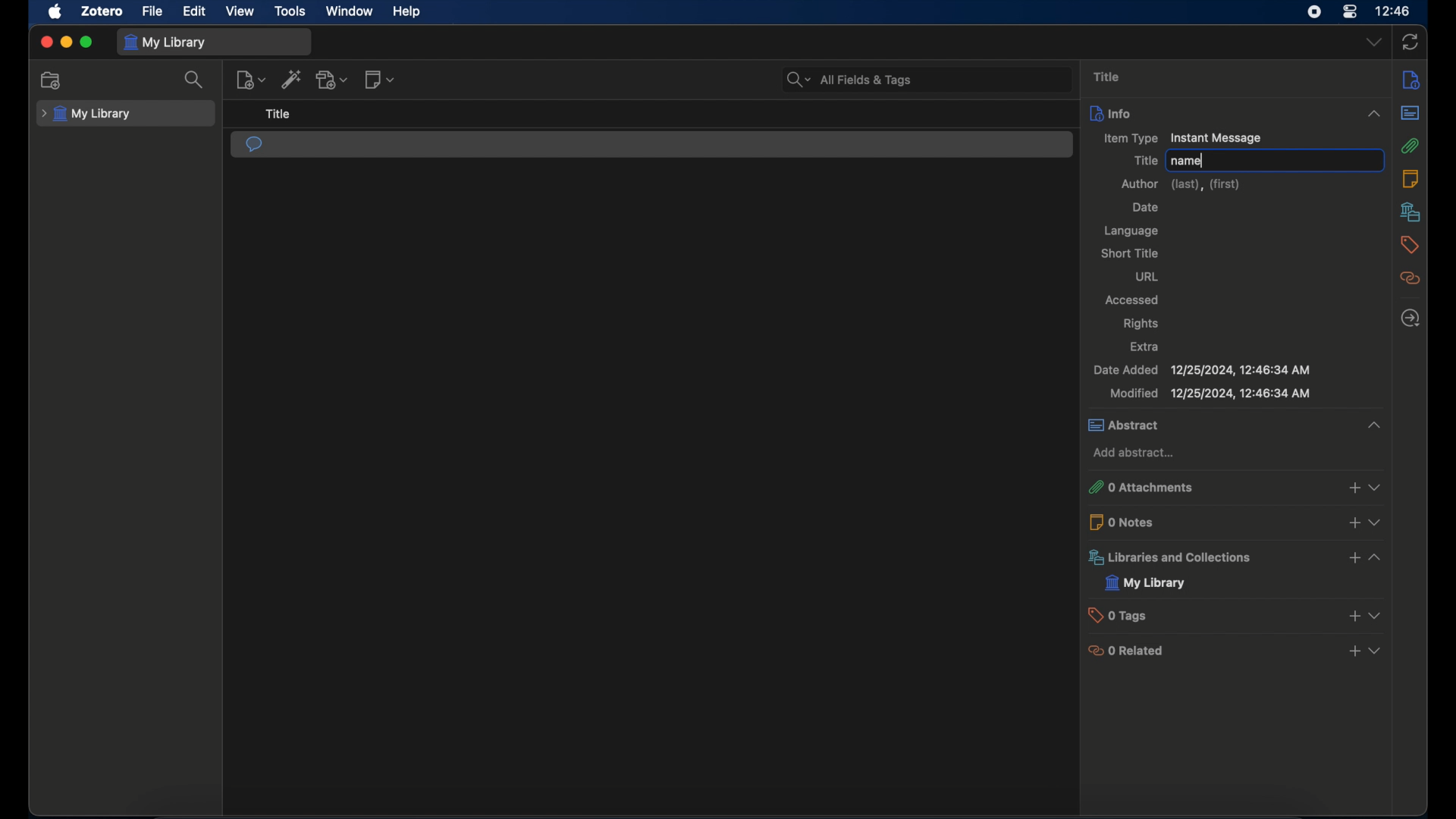 The width and height of the screenshot is (1456, 819). I want to click on url, so click(1147, 277).